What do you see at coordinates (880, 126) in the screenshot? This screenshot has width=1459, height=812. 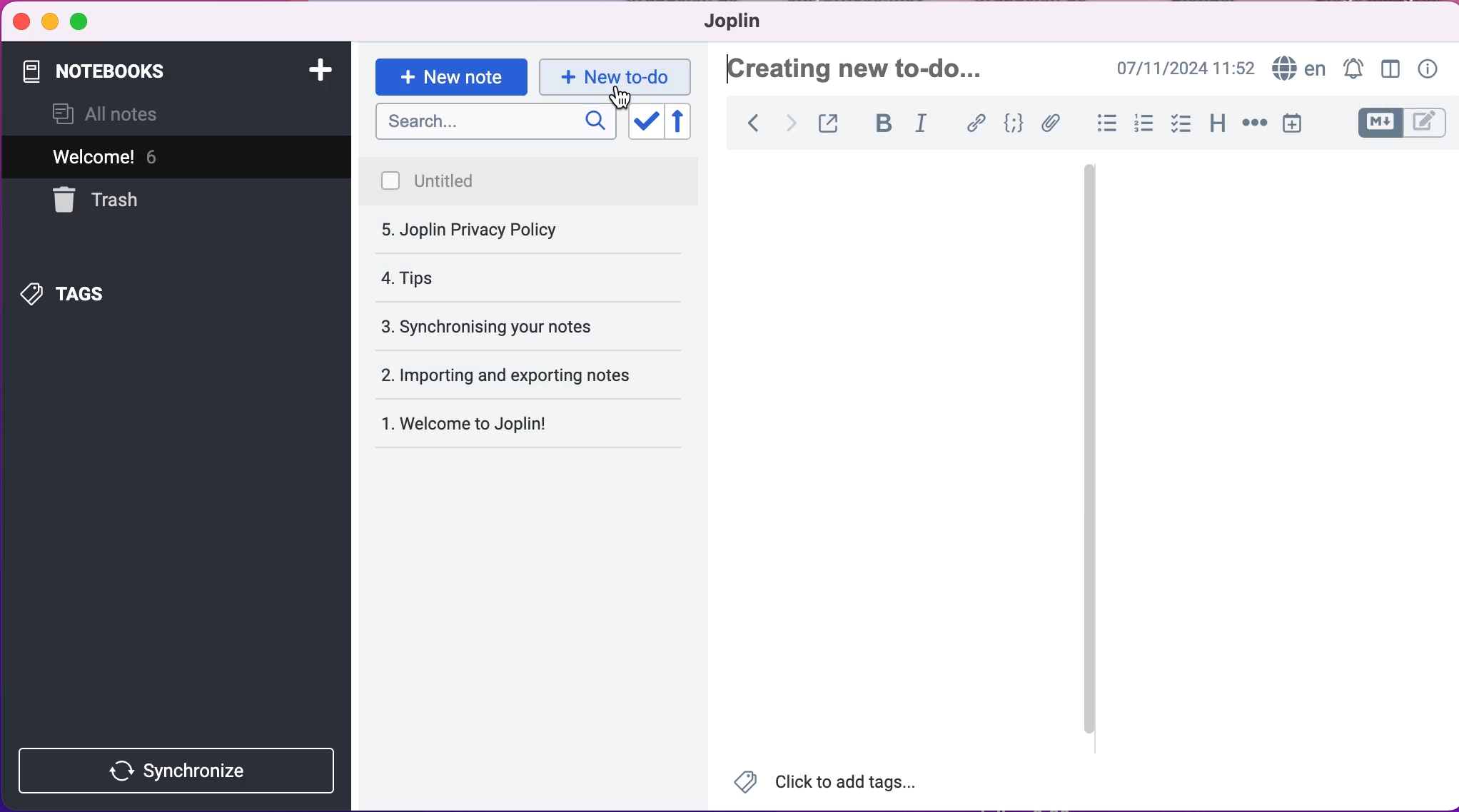 I see `bold` at bounding box center [880, 126].